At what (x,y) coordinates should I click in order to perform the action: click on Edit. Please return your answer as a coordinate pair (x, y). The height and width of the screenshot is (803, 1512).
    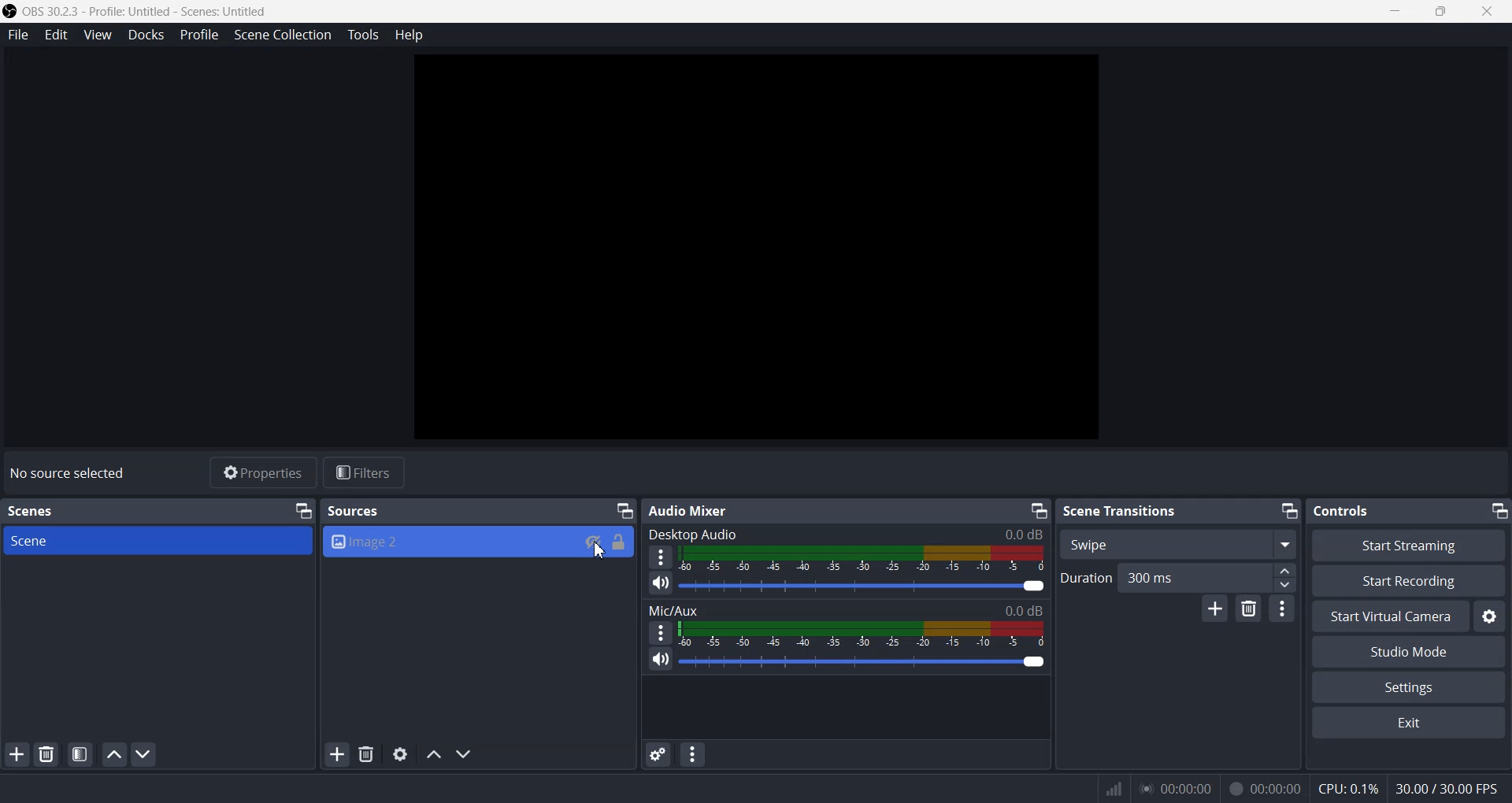
    Looking at the image, I should click on (56, 34).